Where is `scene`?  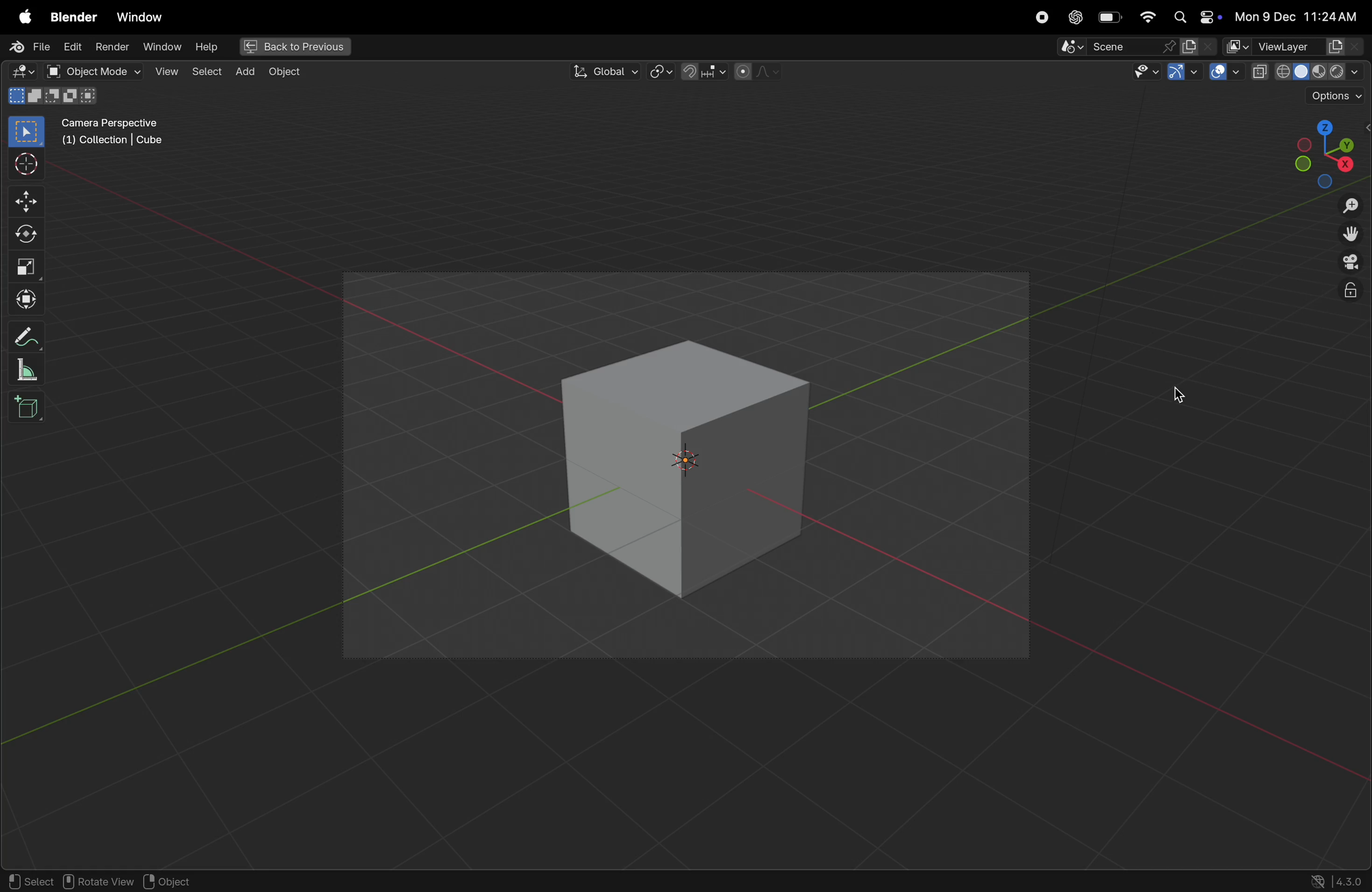
scene is located at coordinates (1117, 47).